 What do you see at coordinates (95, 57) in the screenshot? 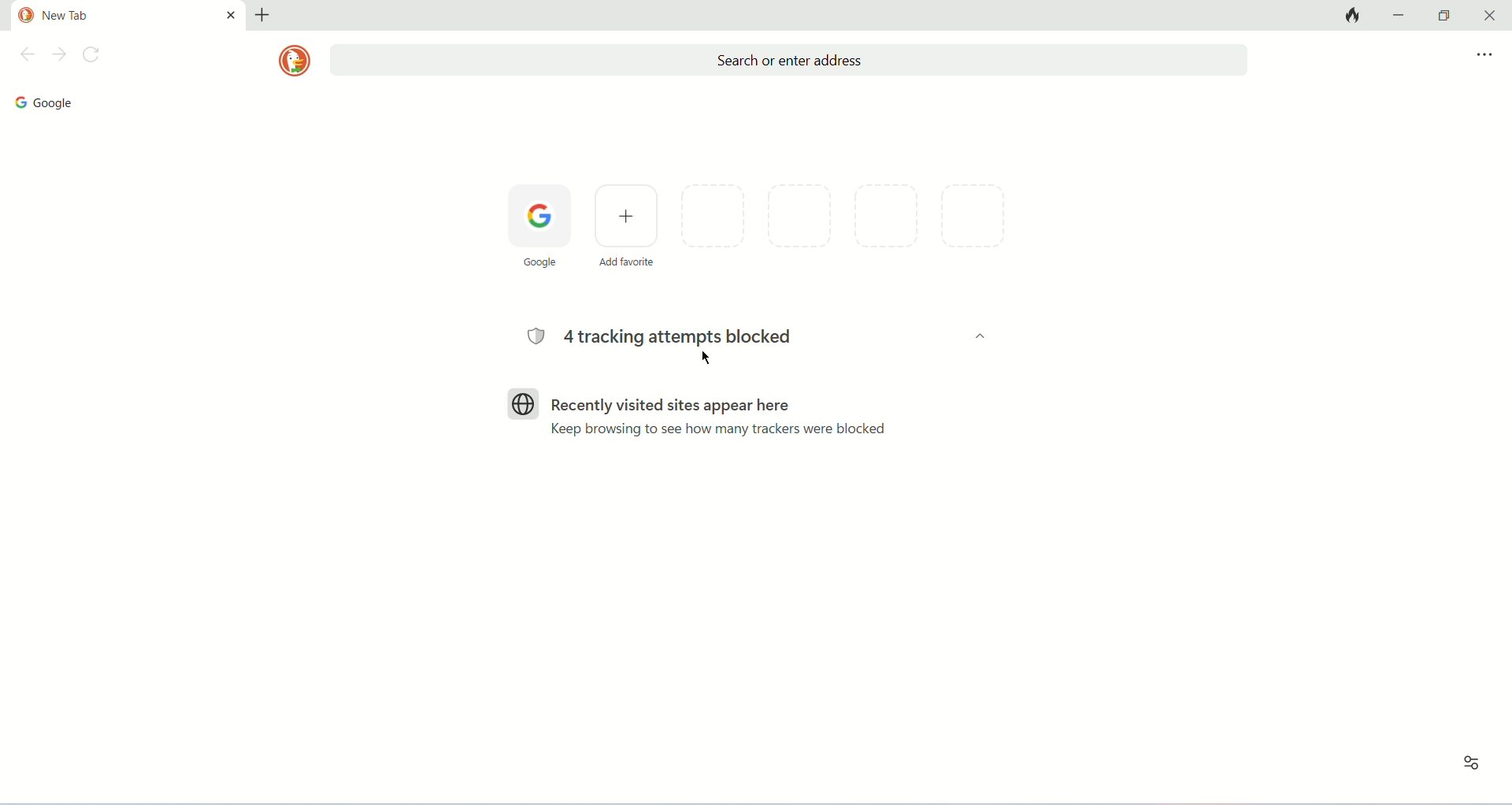
I see `refresh` at bounding box center [95, 57].